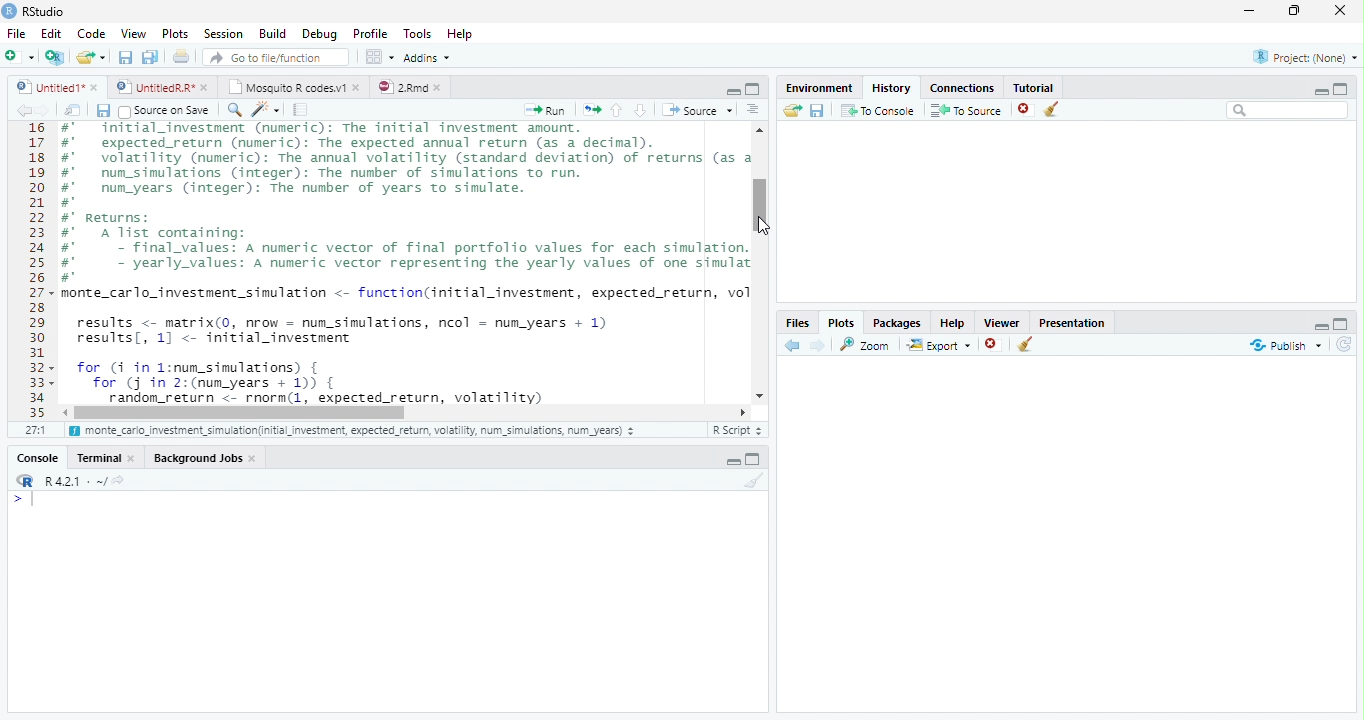 This screenshot has height=720, width=1364. Describe the element at coordinates (766, 228) in the screenshot. I see `Mouse Cursor` at that location.